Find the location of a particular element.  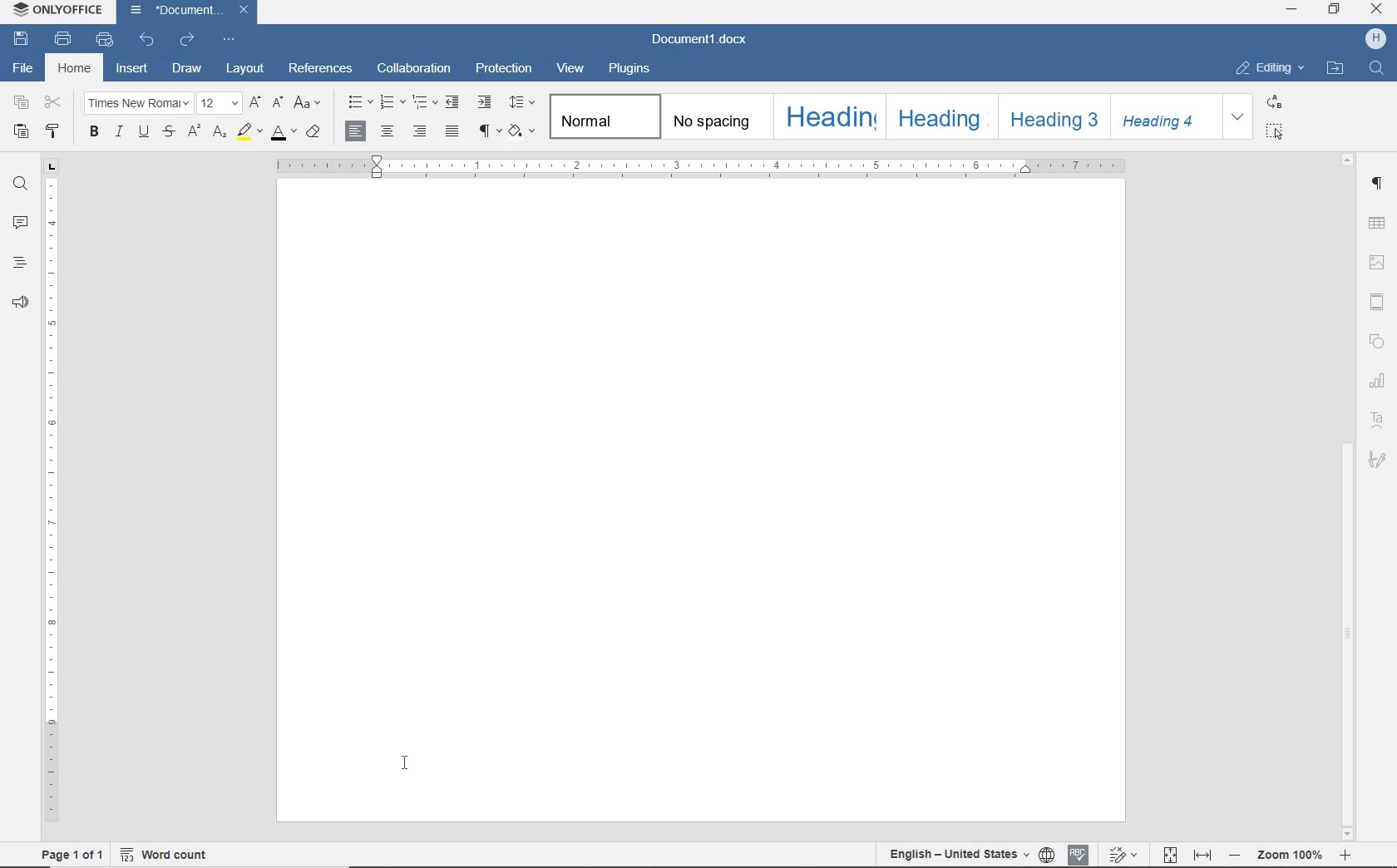

references is located at coordinates (321, 67).